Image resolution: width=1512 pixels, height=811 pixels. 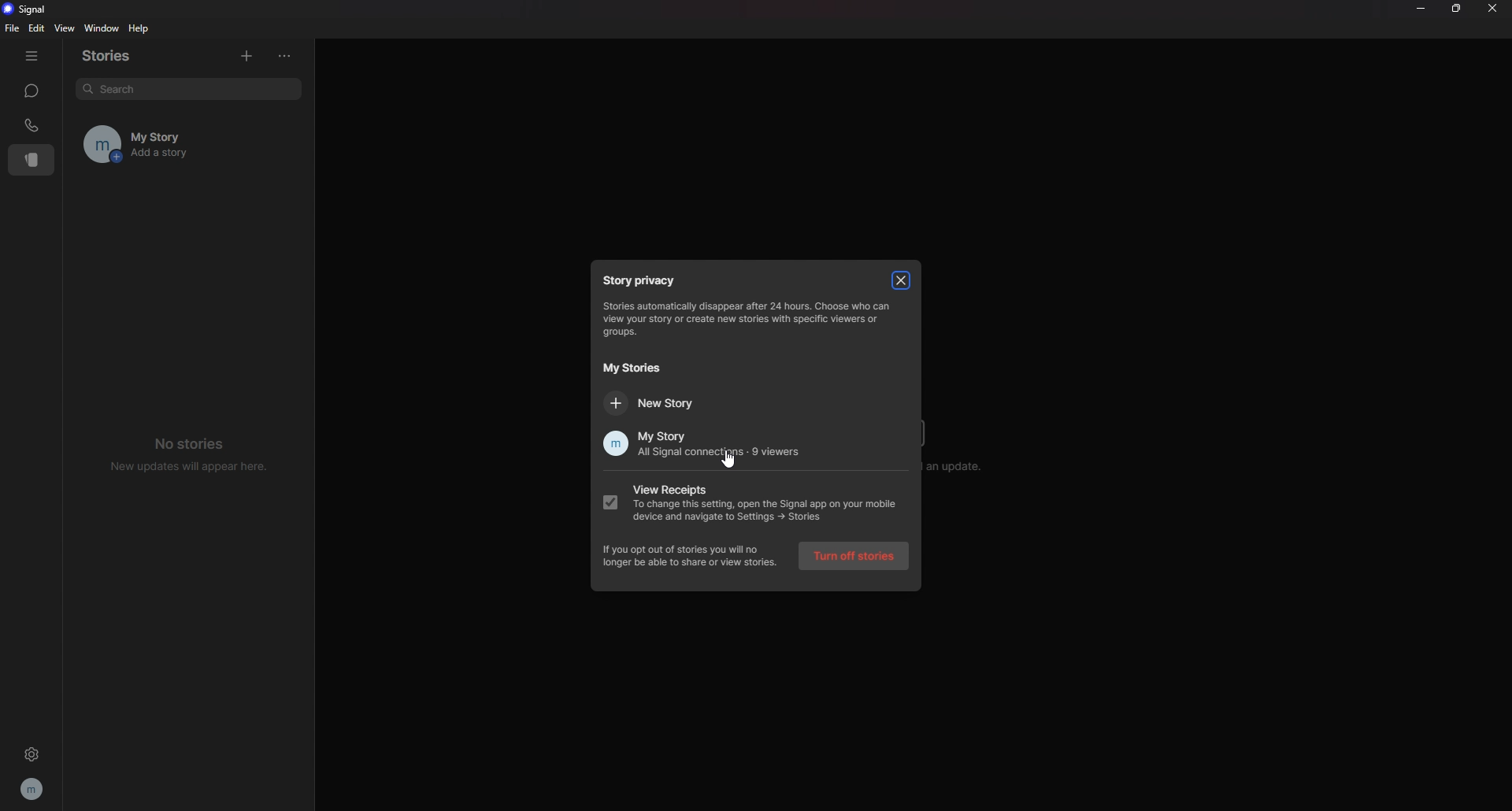 I want to click on profile, so click(x=33, y=788).